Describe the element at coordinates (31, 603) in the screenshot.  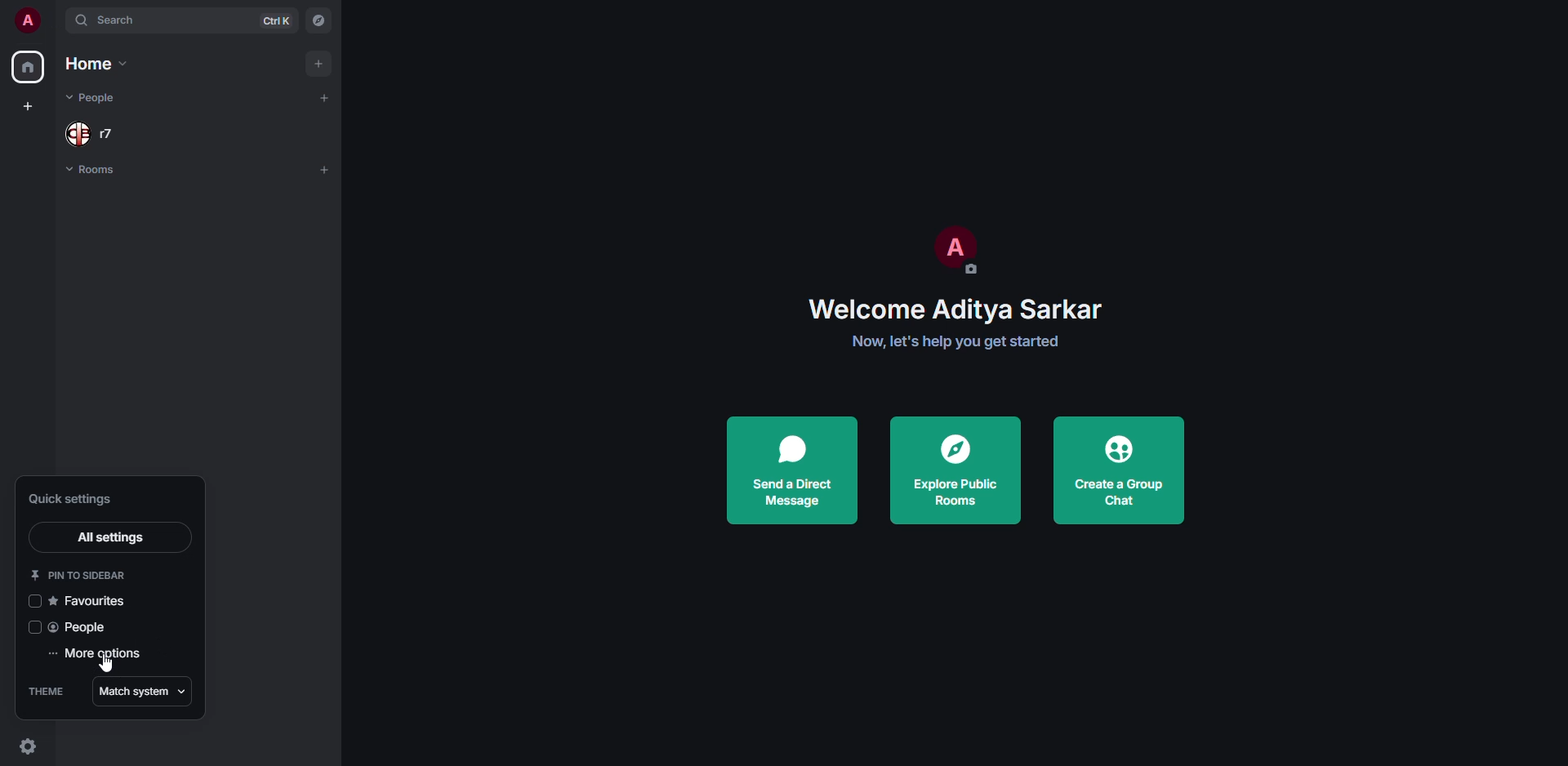
I see `click to enable` at that location.